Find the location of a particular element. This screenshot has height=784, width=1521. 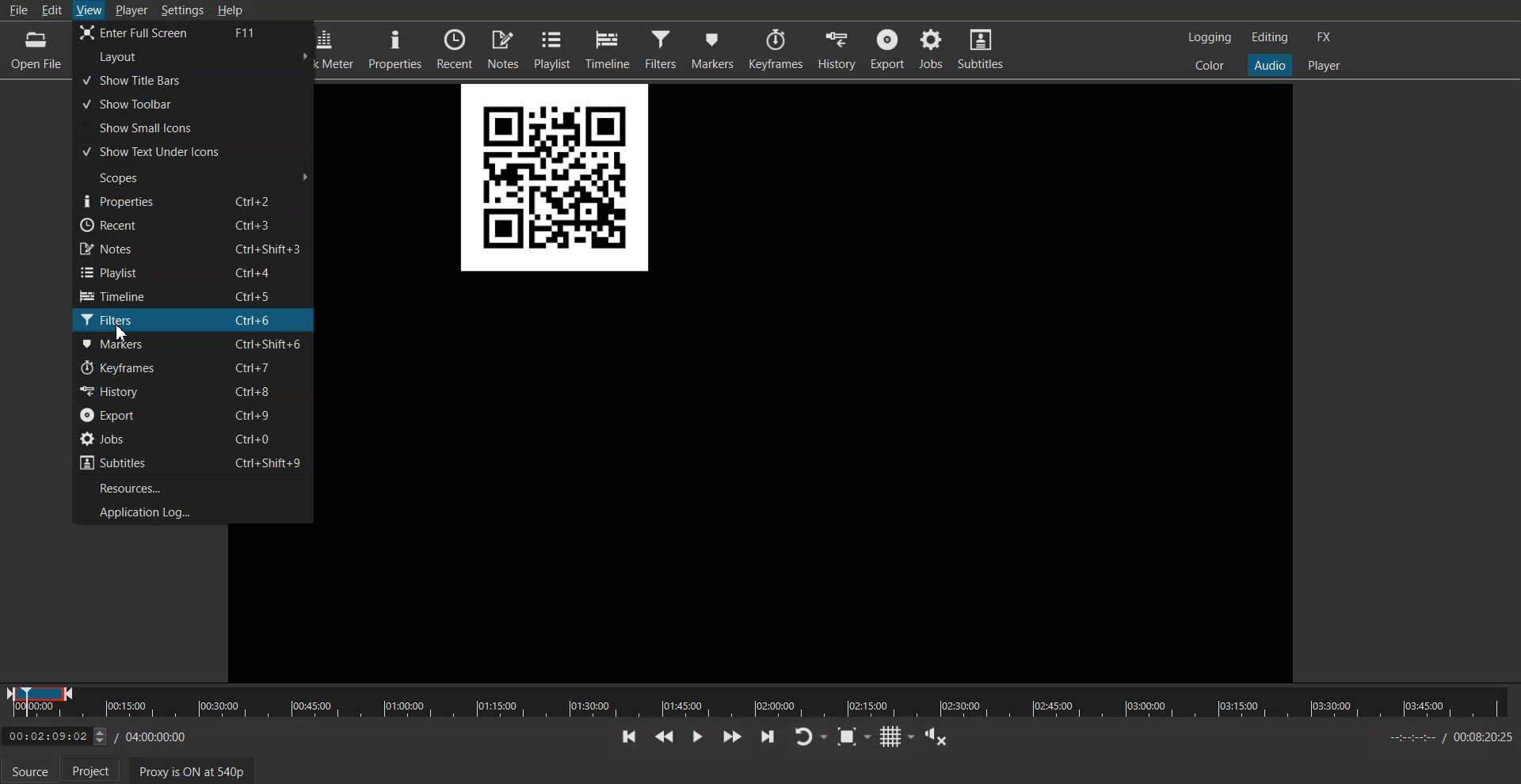

Properties is located at coordinates (395, 49).